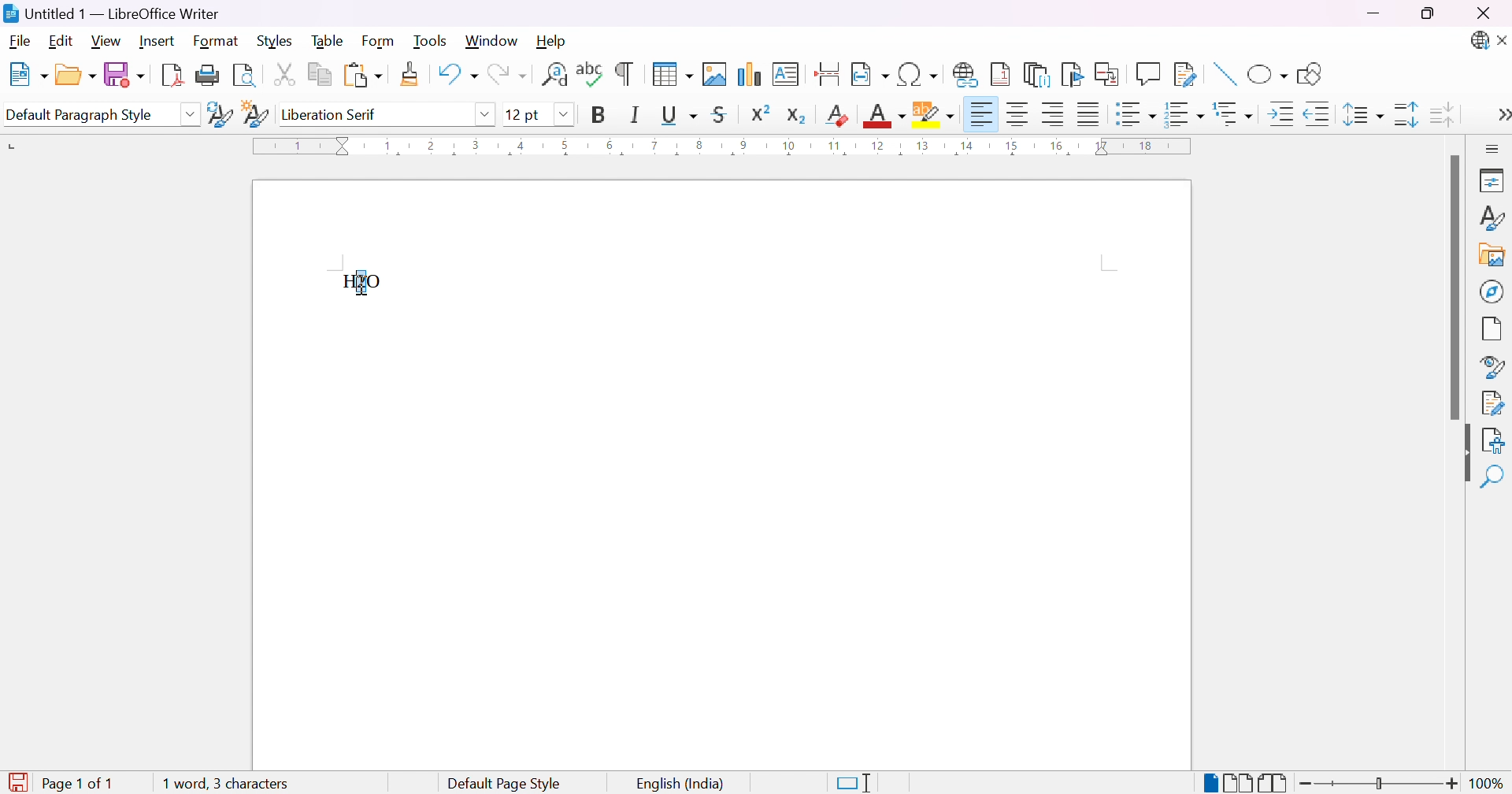  What do you see at coordinates (433, 42) in the screenshot?
I see `Tools` at bounding box center [433, 42].